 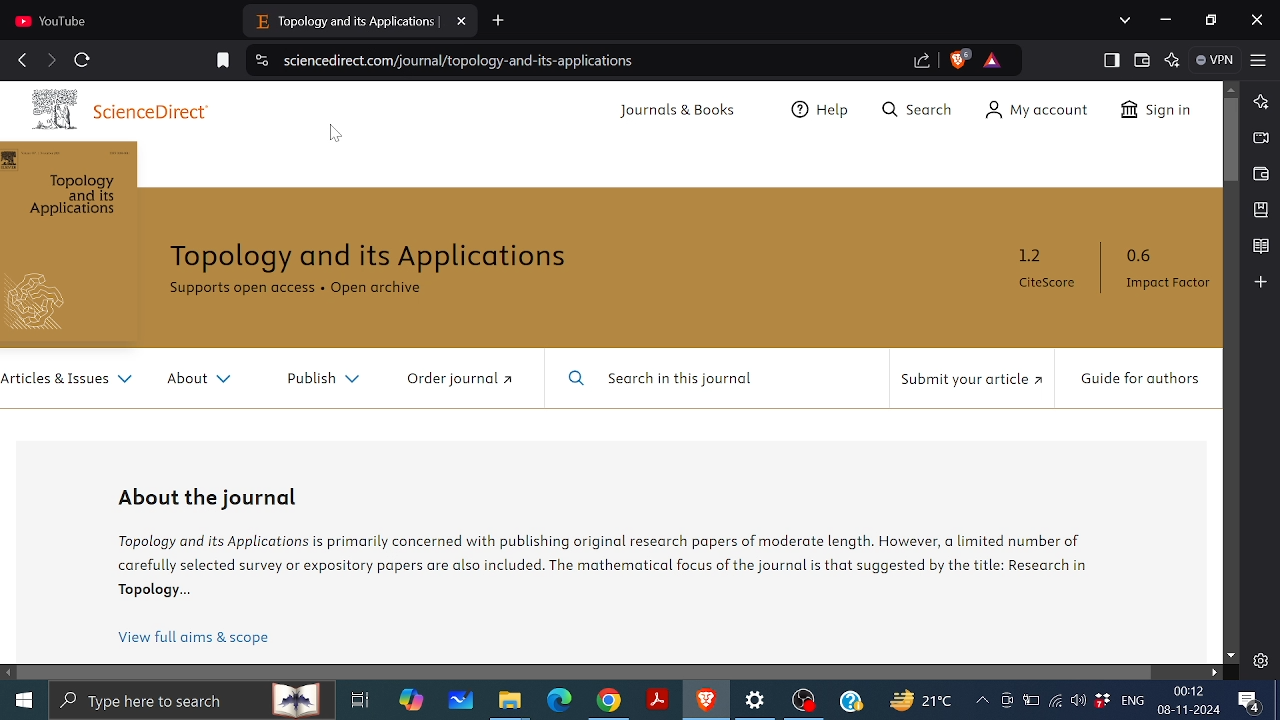 What do you see at coordinates (224, 61) in the screenshot?
I see `Add bookmark` at bounding box center [224, 61].